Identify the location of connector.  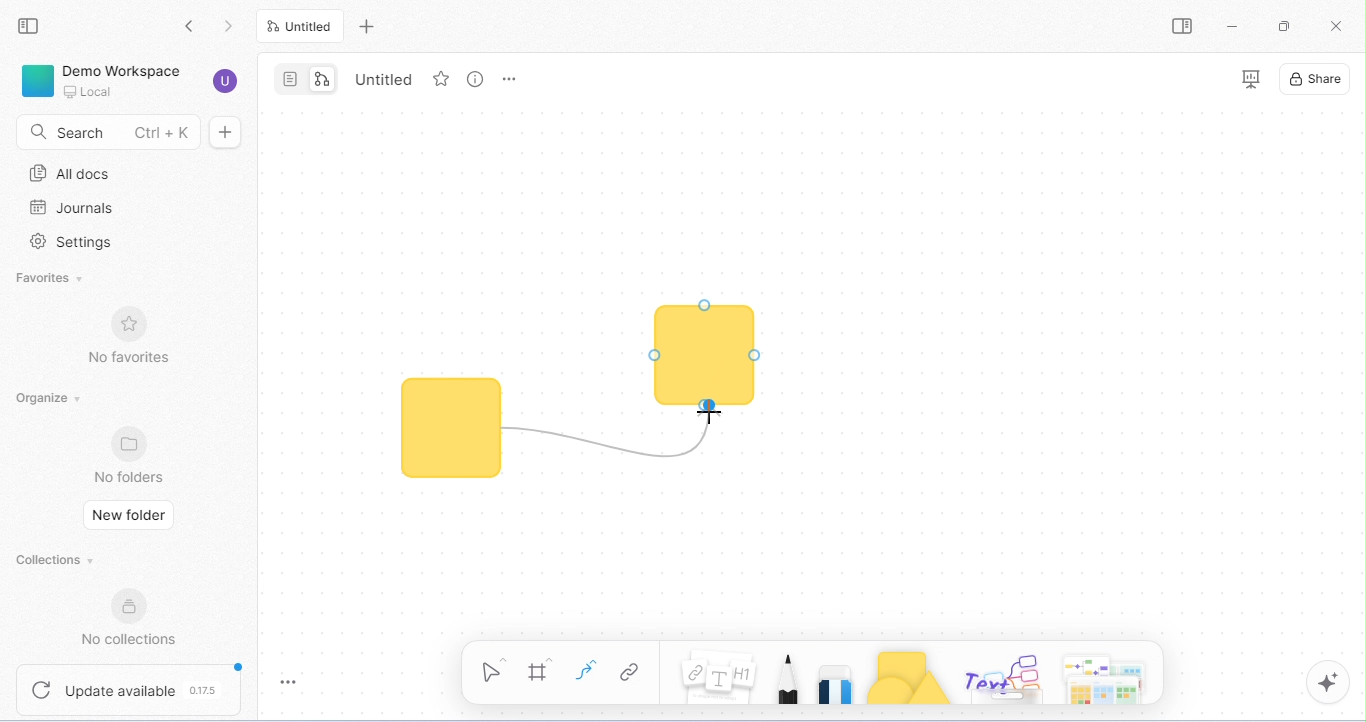
(615, 438).